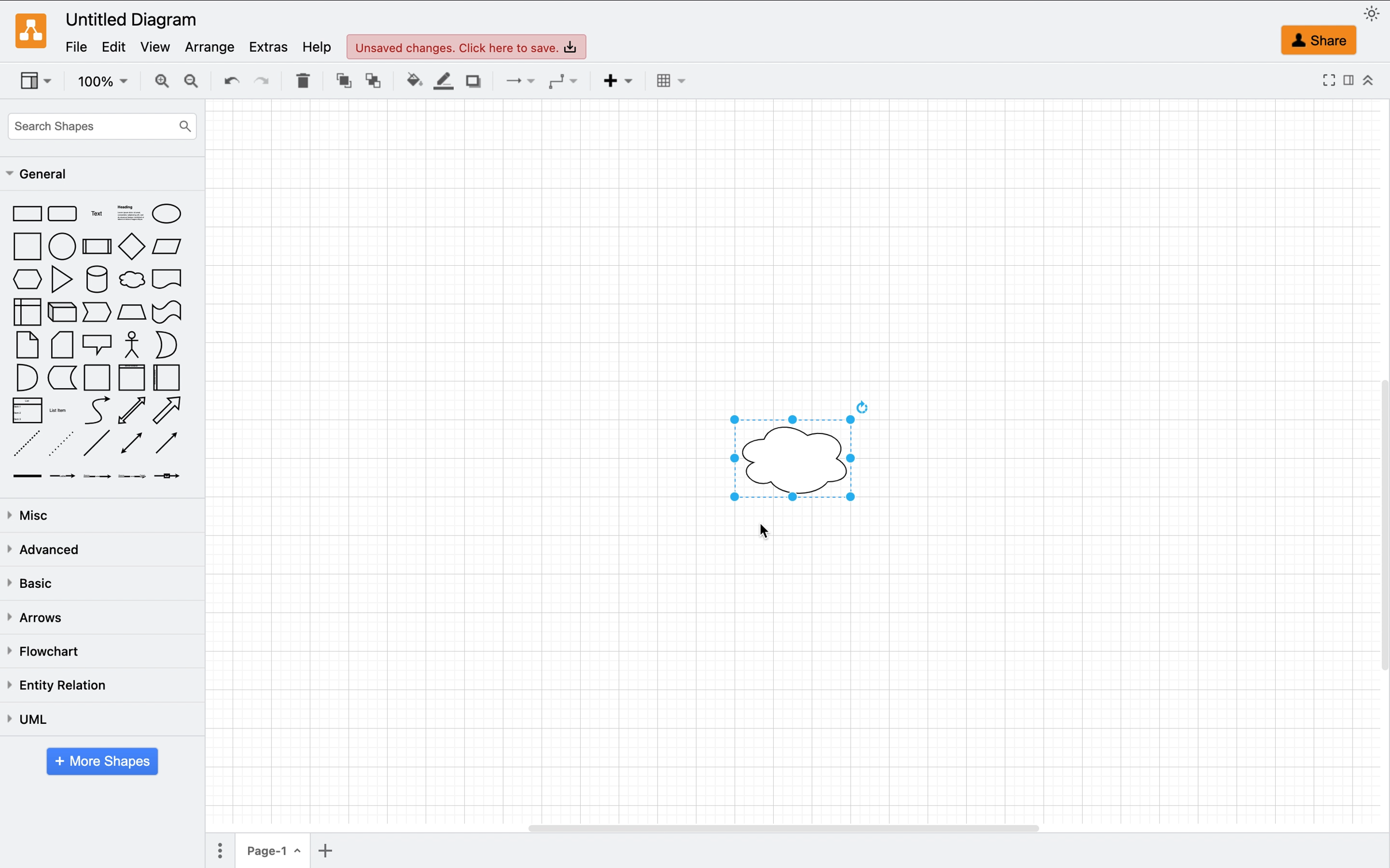  Describe the element at coordinates (62, 441) in the screenshot. I see `dotted line` at that location.